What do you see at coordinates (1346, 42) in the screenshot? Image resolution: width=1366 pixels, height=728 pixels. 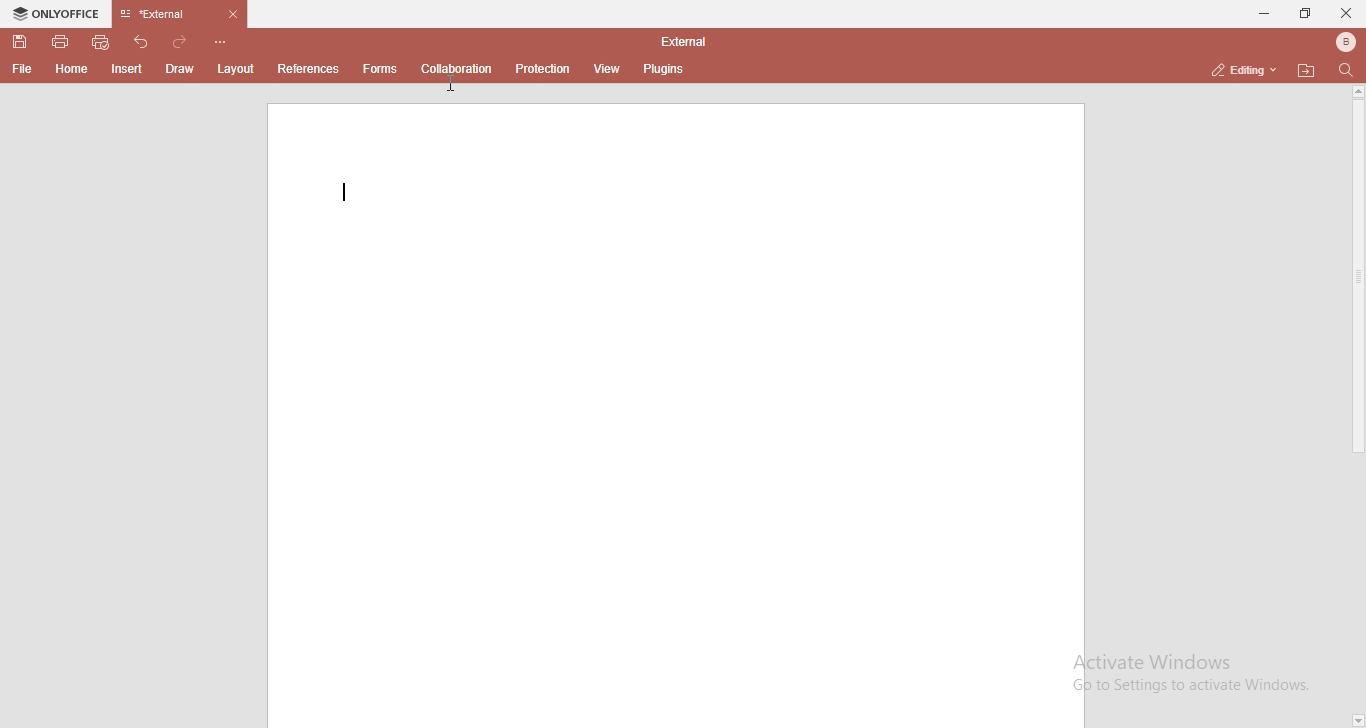 I see `bluetooth` at bounding box center [1346, 42].